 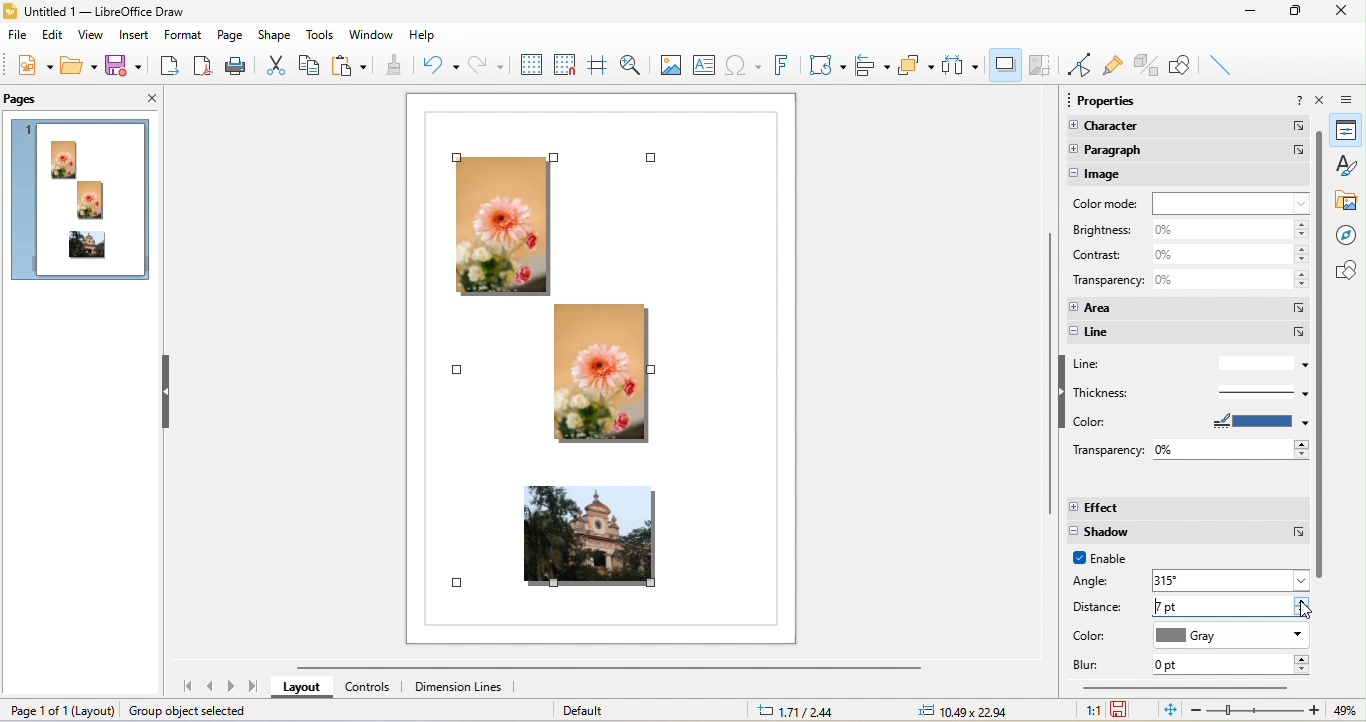 What do you see at coordinates (1349, 203) in the screenshot?
I see `gallery` at bounding box center [1349, 203].